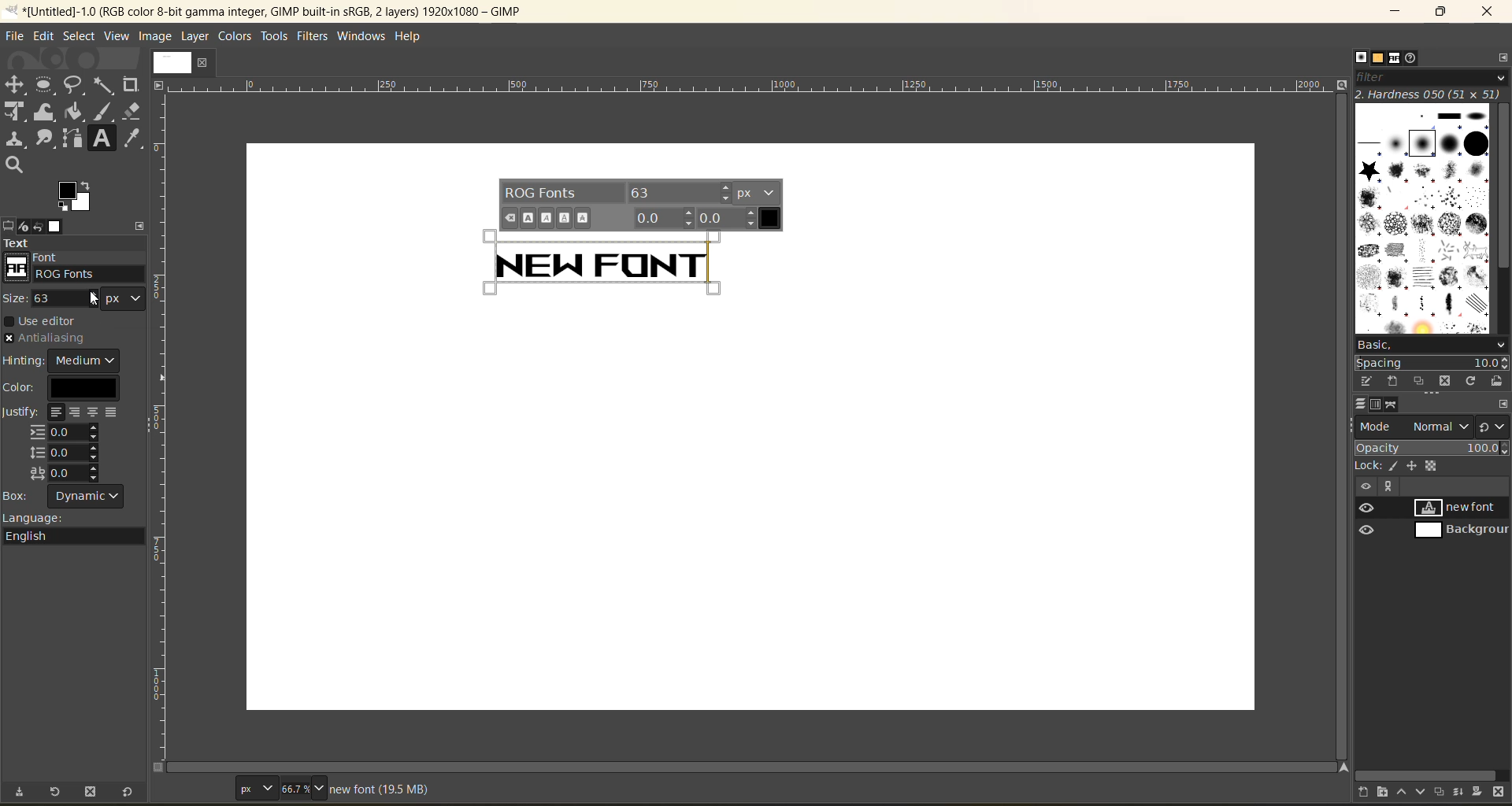 This screenshot has width=1512, height=806. What do you see at coordinates (1423, 216) in the screenshot?
I see `options` at bounding box center [1423, 216].